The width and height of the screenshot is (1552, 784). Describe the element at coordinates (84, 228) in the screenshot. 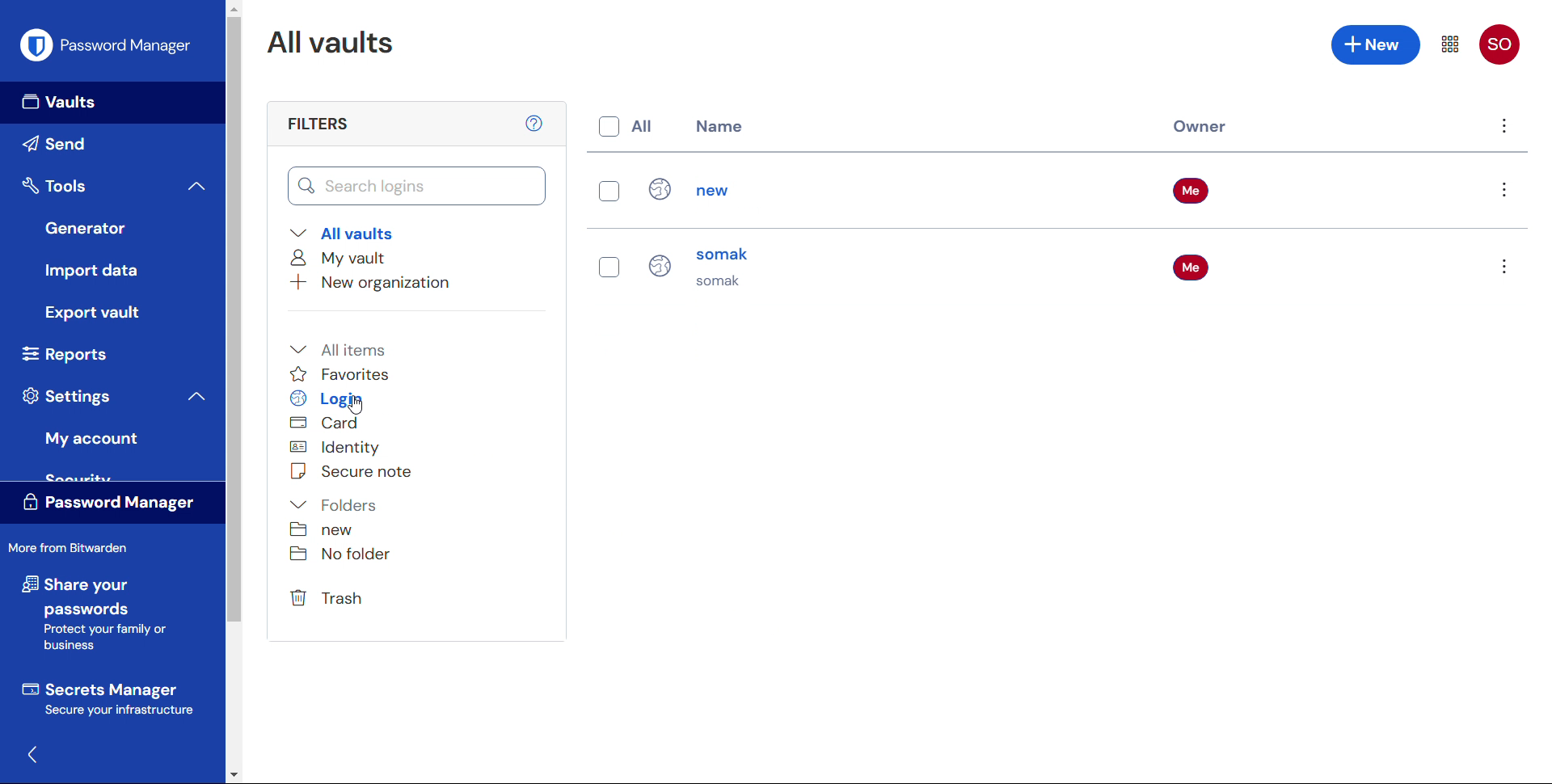

I see `Generator ` at that location.